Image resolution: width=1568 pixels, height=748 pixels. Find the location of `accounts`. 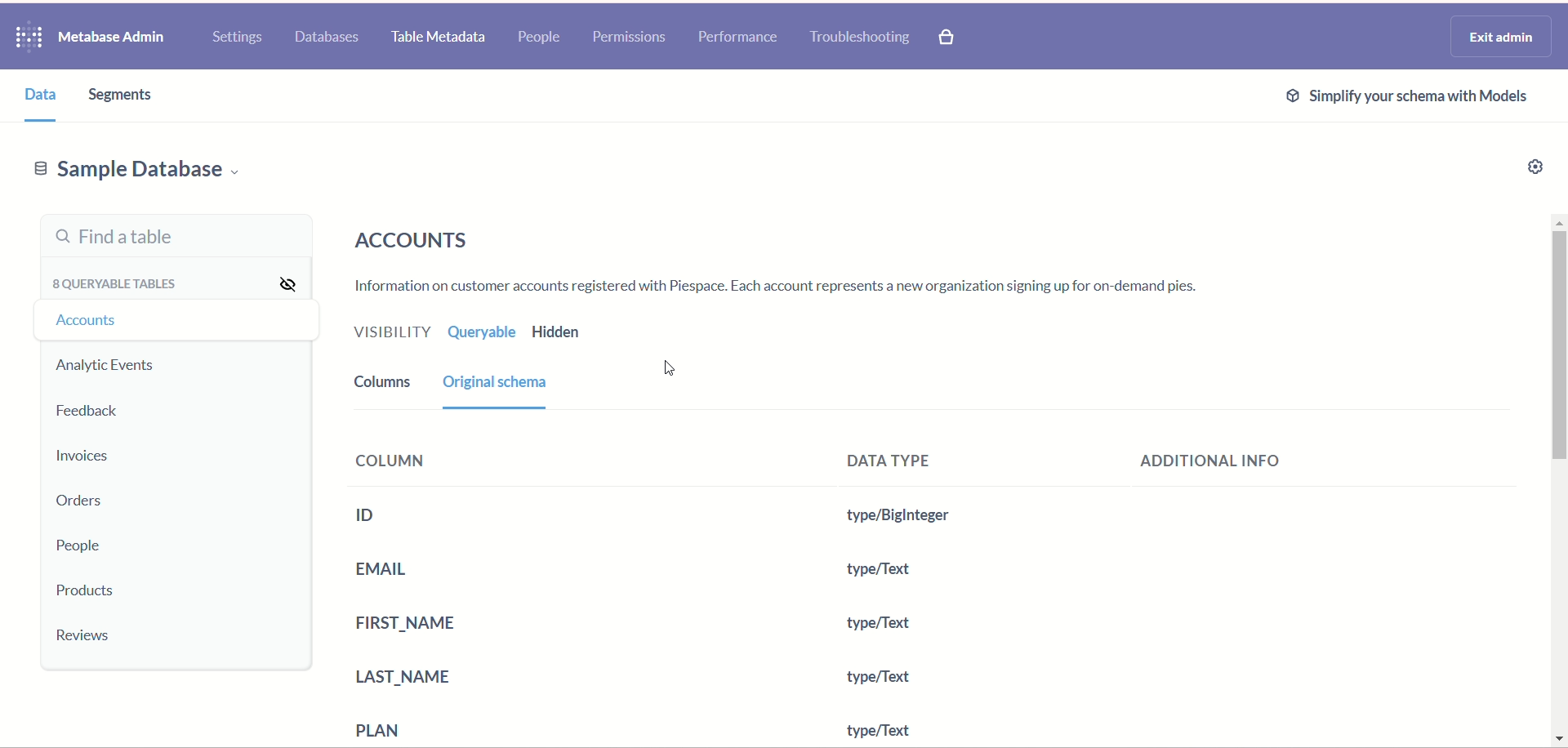

accounts is located at coordinates (421, 243).